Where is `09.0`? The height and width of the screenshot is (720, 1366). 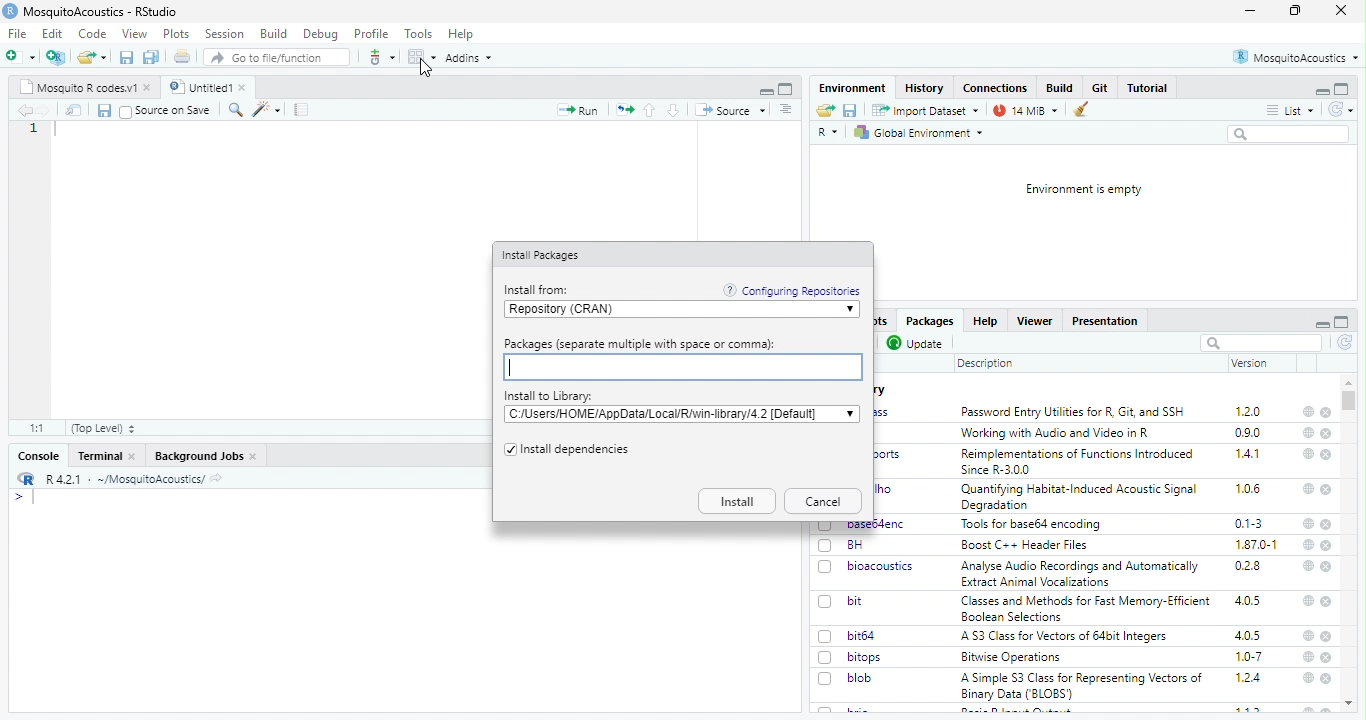 09.0 is located at coordinates (1248, 433).